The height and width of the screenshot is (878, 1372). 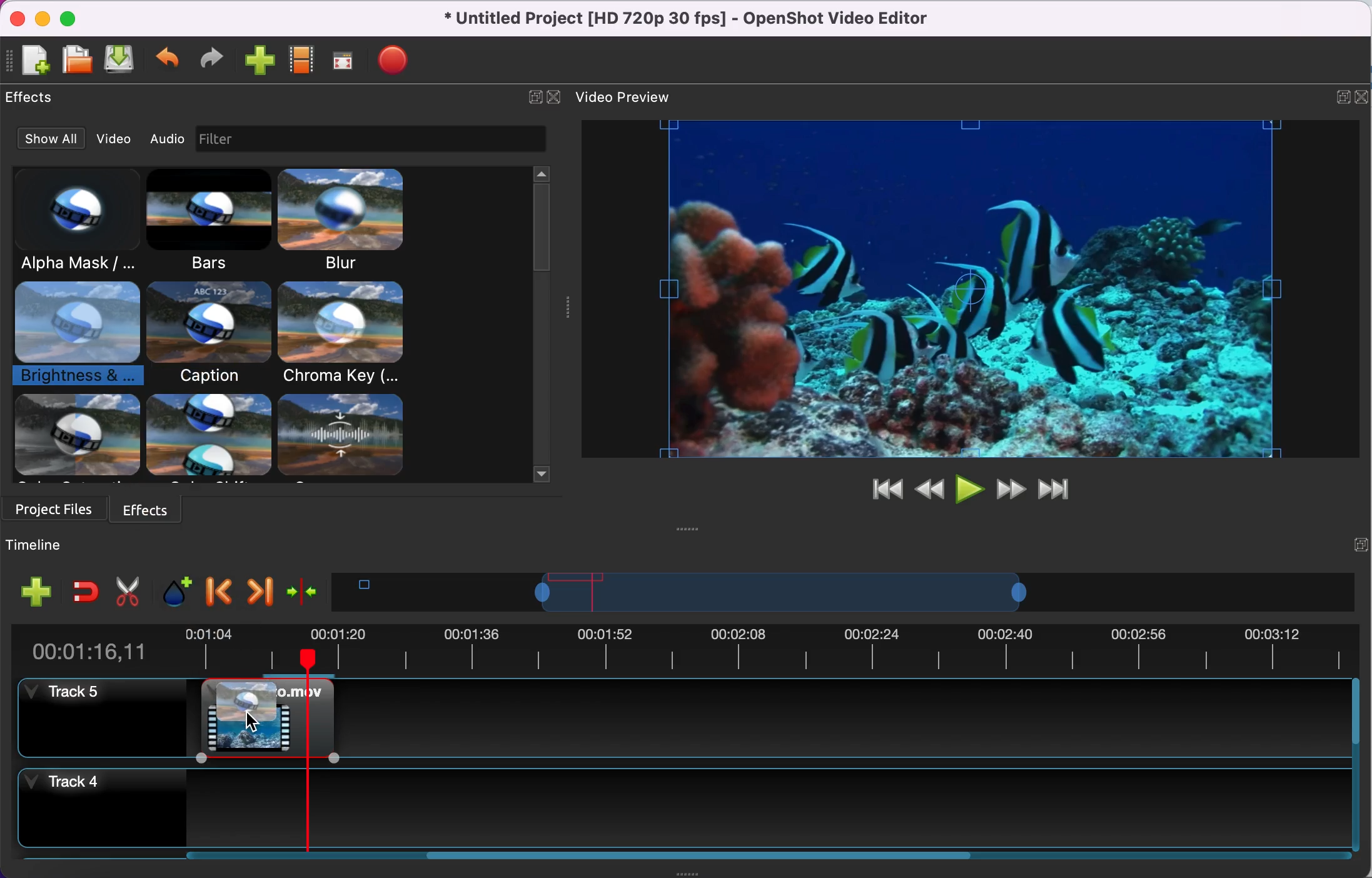 I want to click on expand/hide, so click(x=1360, y=543).